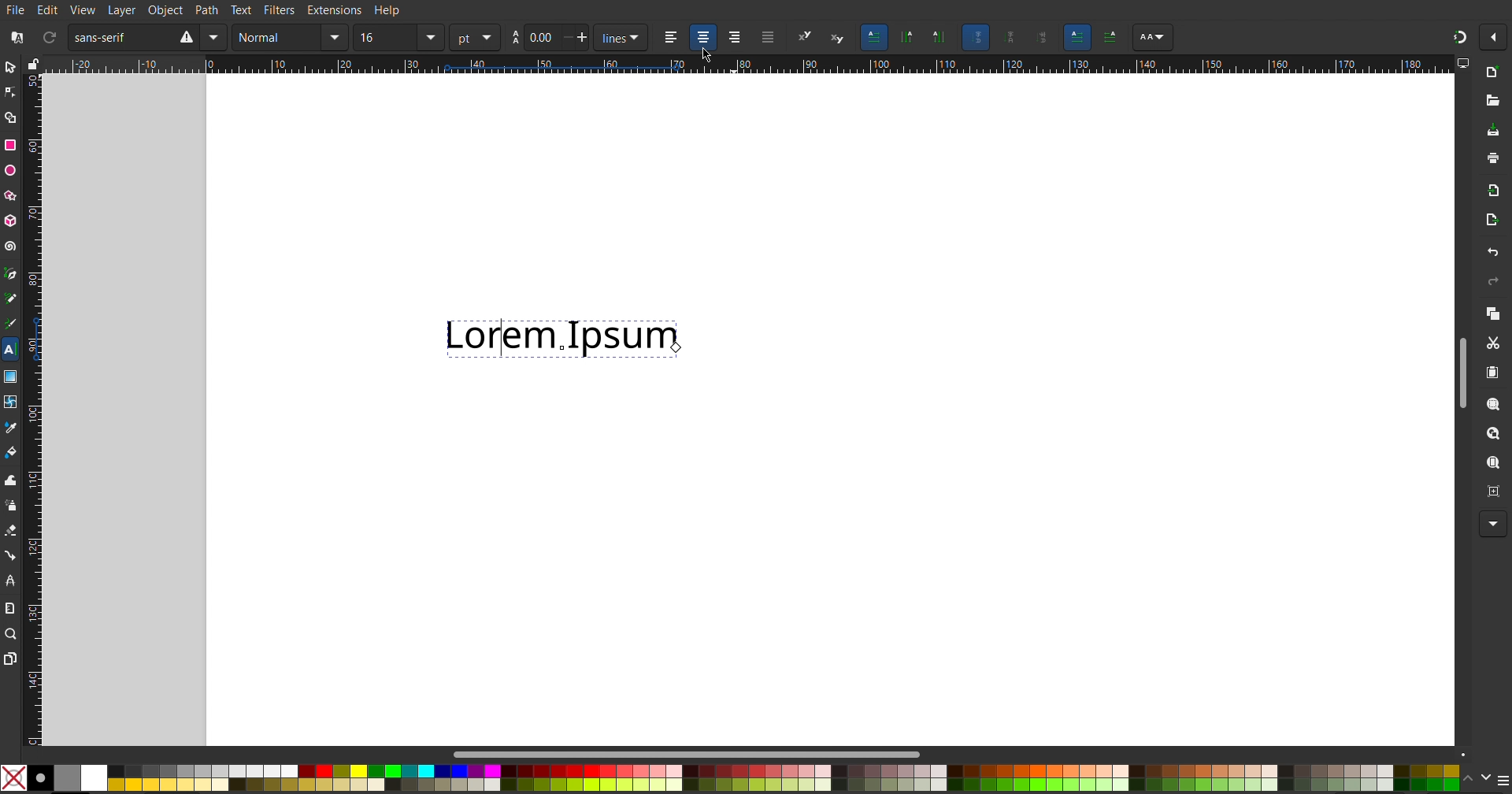 This screenshot has width=1512, height=794. What do you see at coordinates (1495, 405) in the screenshot?
I see `Zoom Selection` at bounding box center [1495, 405].